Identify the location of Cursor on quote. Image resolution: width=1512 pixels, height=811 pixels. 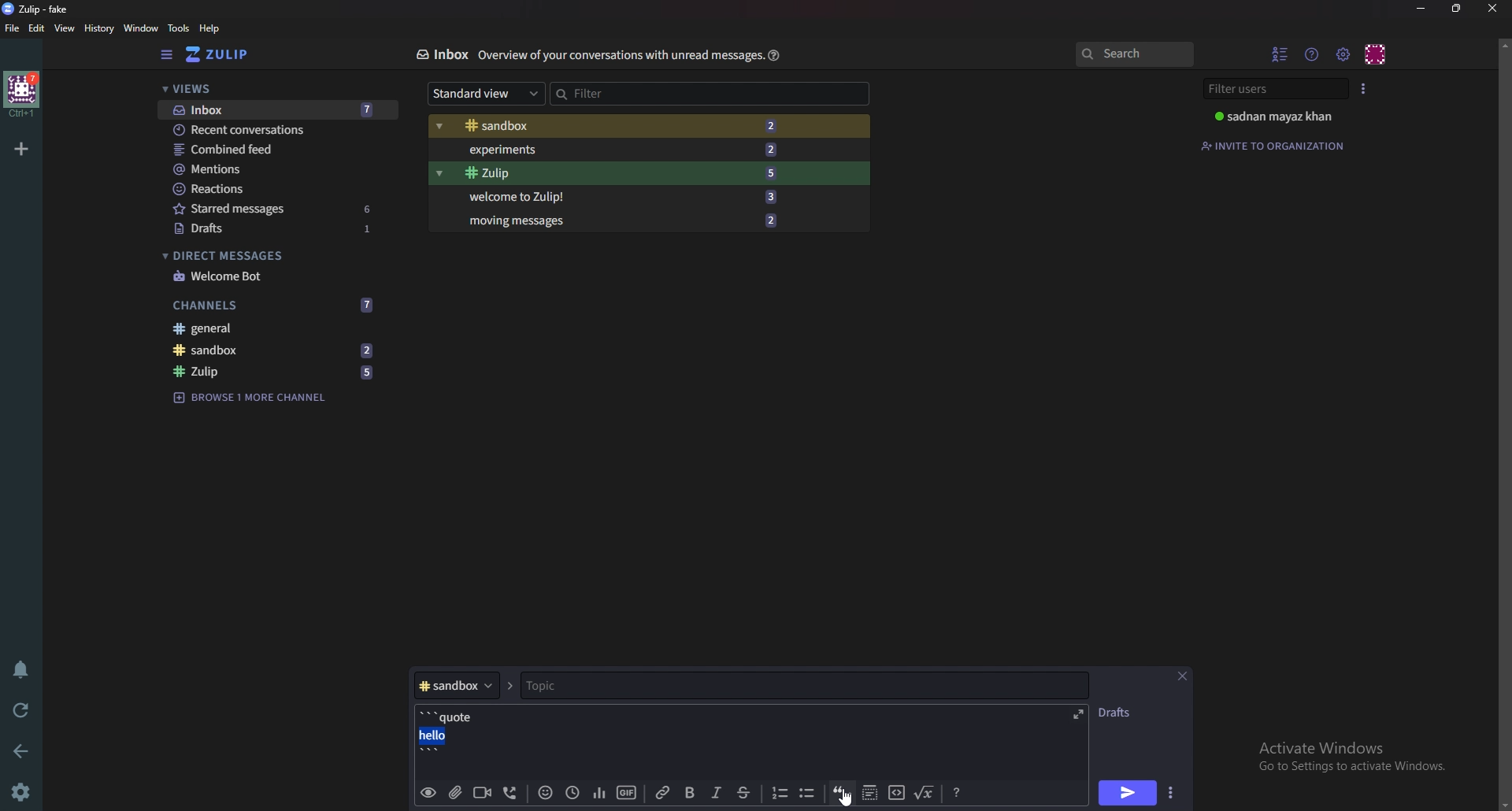
(847, 801).